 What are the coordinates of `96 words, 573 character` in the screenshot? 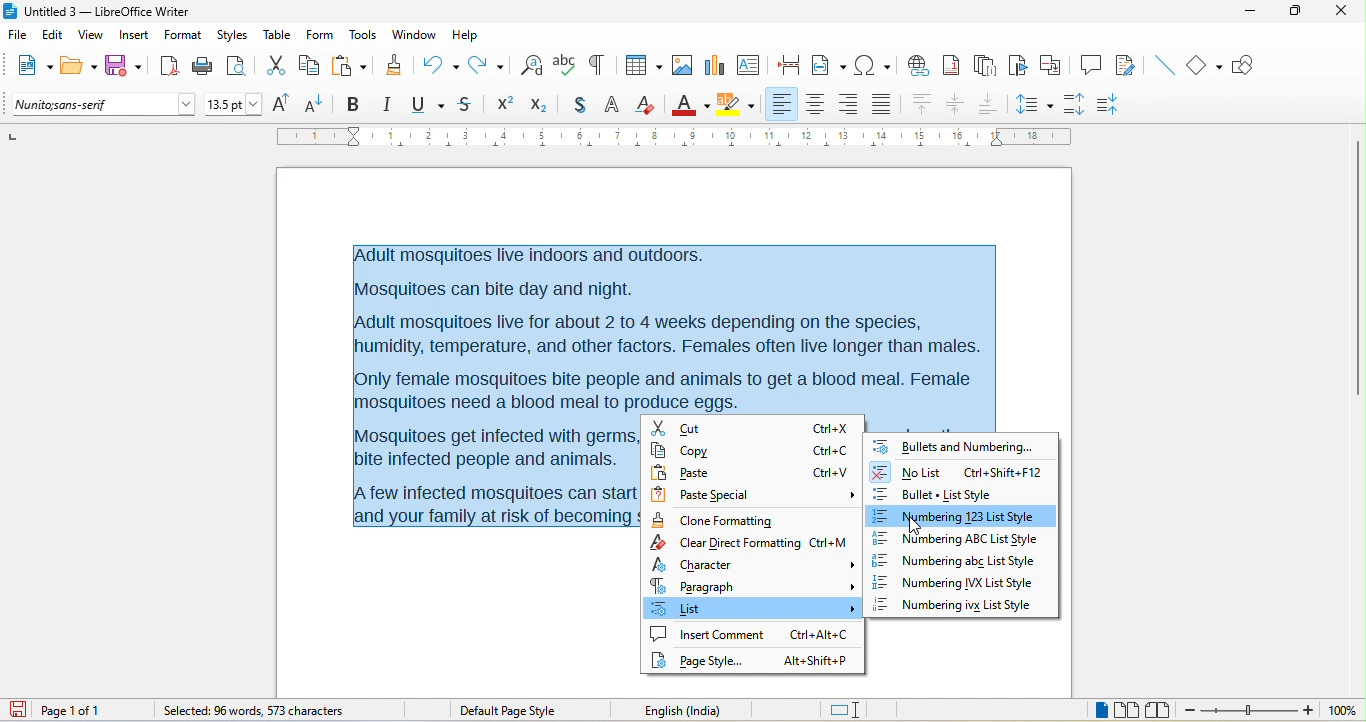 It's located at (252, 712).